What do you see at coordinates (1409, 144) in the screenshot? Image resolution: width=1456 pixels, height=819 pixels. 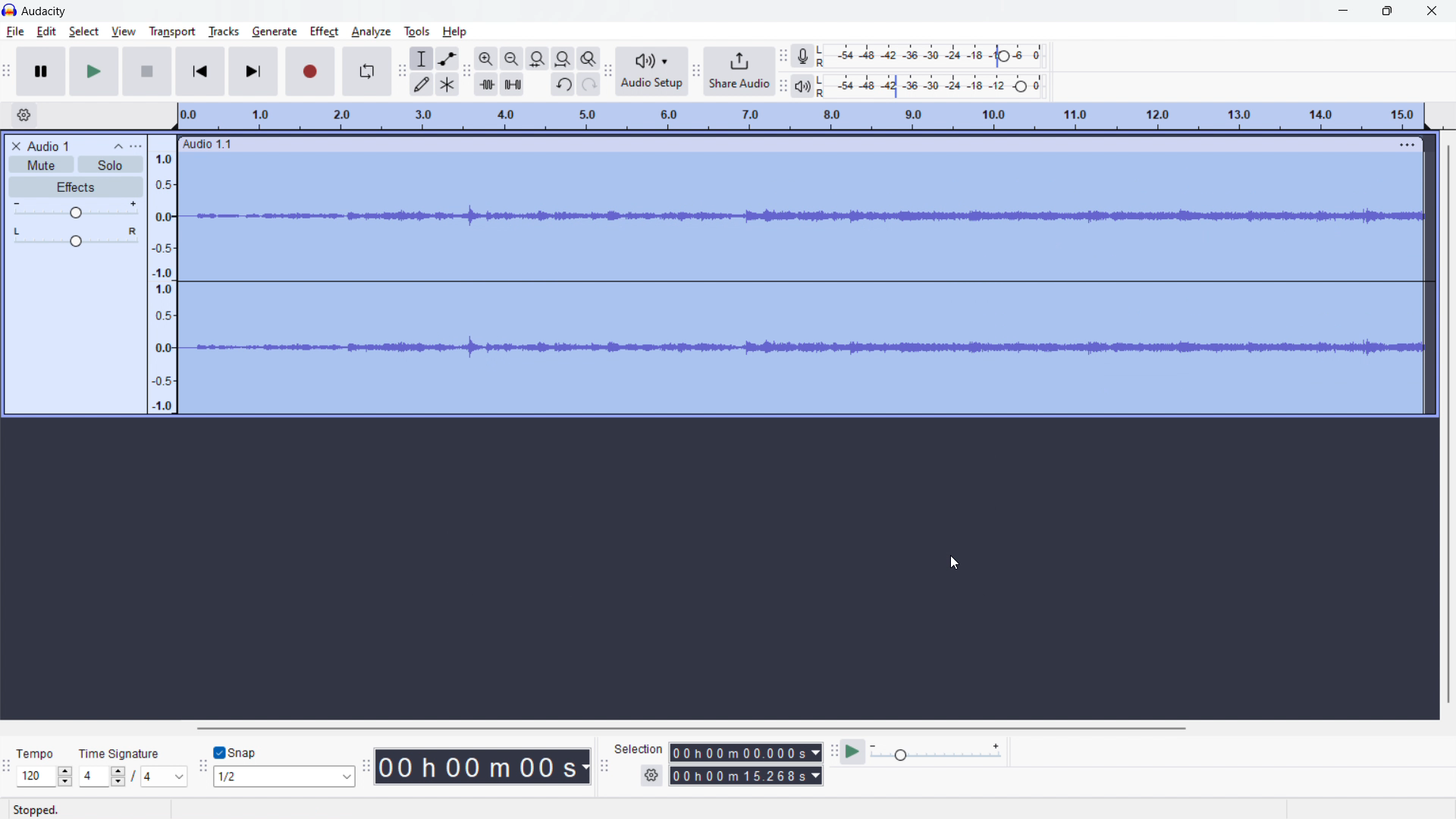 I see `menu` at bounding box center [1409, 144].